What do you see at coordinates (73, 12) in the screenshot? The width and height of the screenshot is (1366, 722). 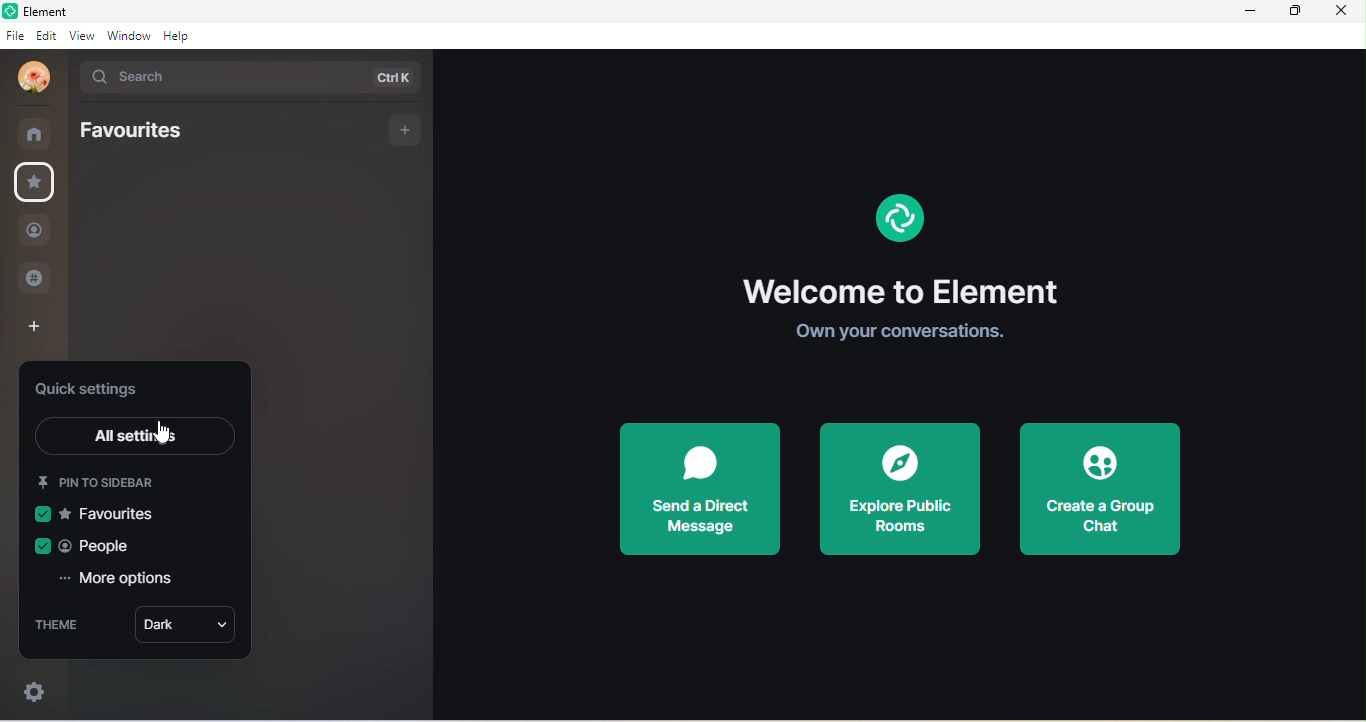 I see `element` at bounding box center [73, 12].